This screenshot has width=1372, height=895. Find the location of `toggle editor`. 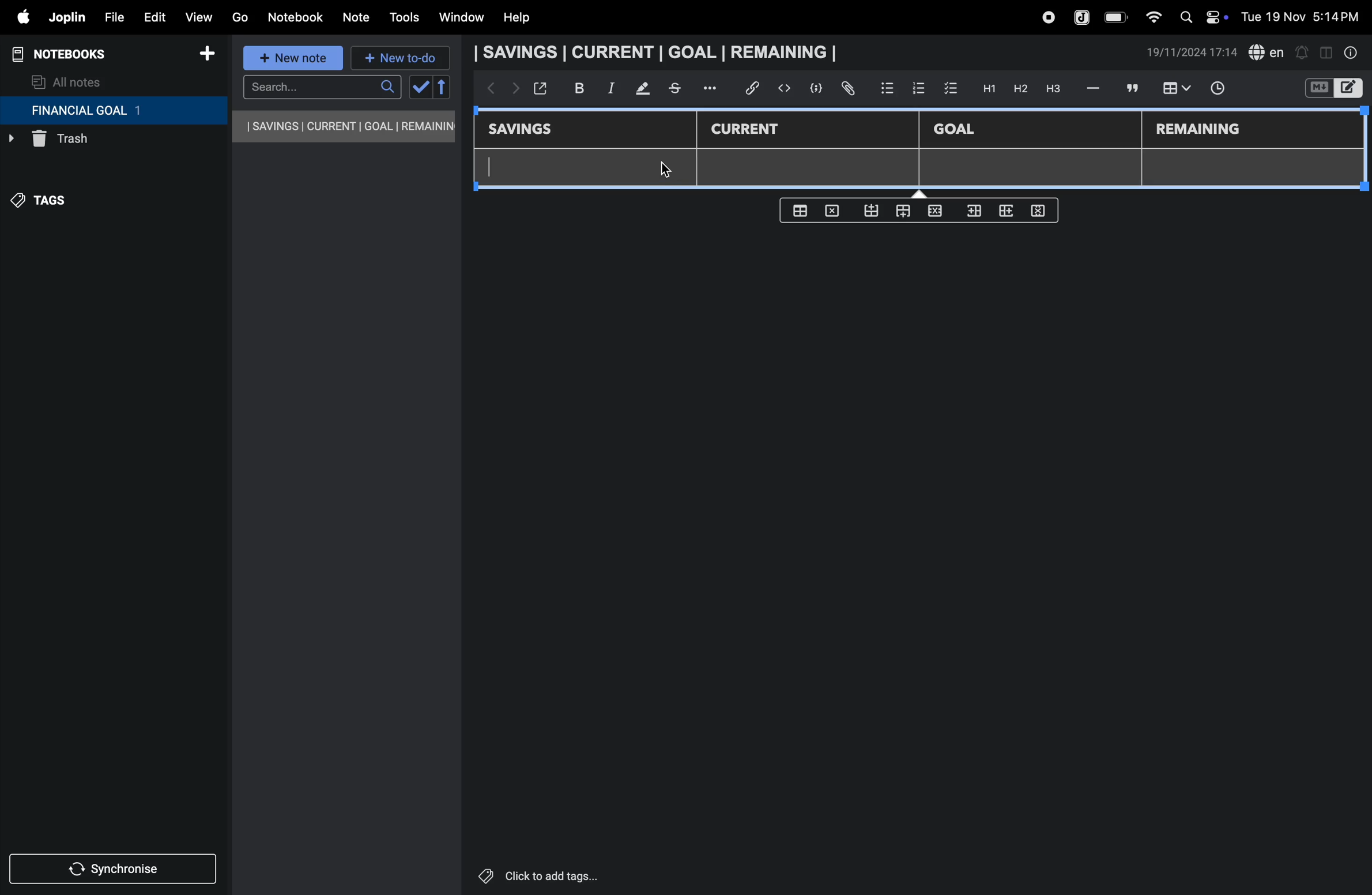

toggle editor is located at coordinates (1326, 51).